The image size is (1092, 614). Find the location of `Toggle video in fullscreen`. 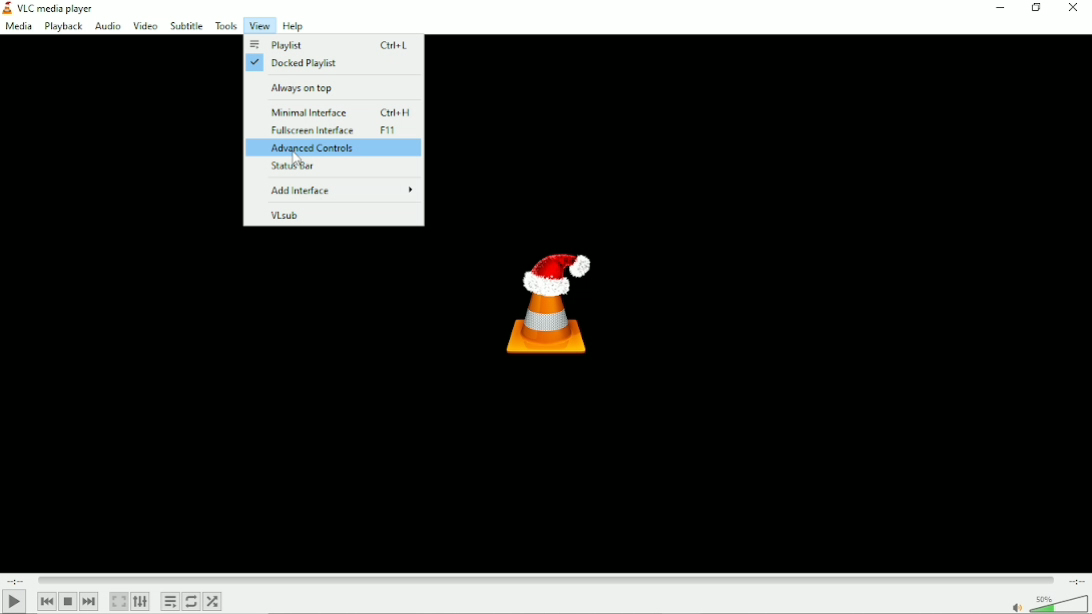

Toggle video in fullscreen is located at coordinates (119, 601).